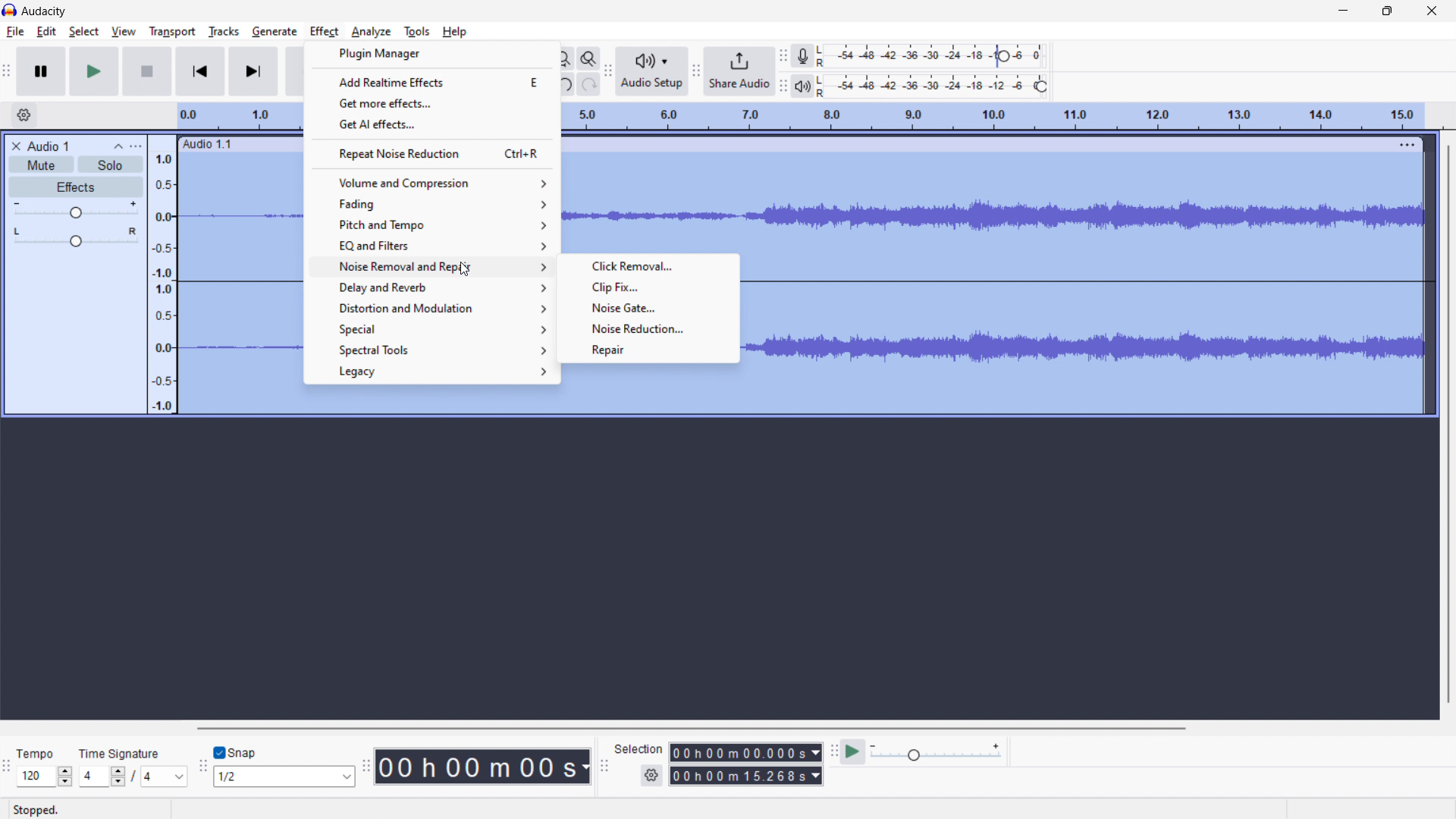 The width and height of the screenshot is (1456, 819). I want to click on horizontal scrollbar, so click(692, 729).